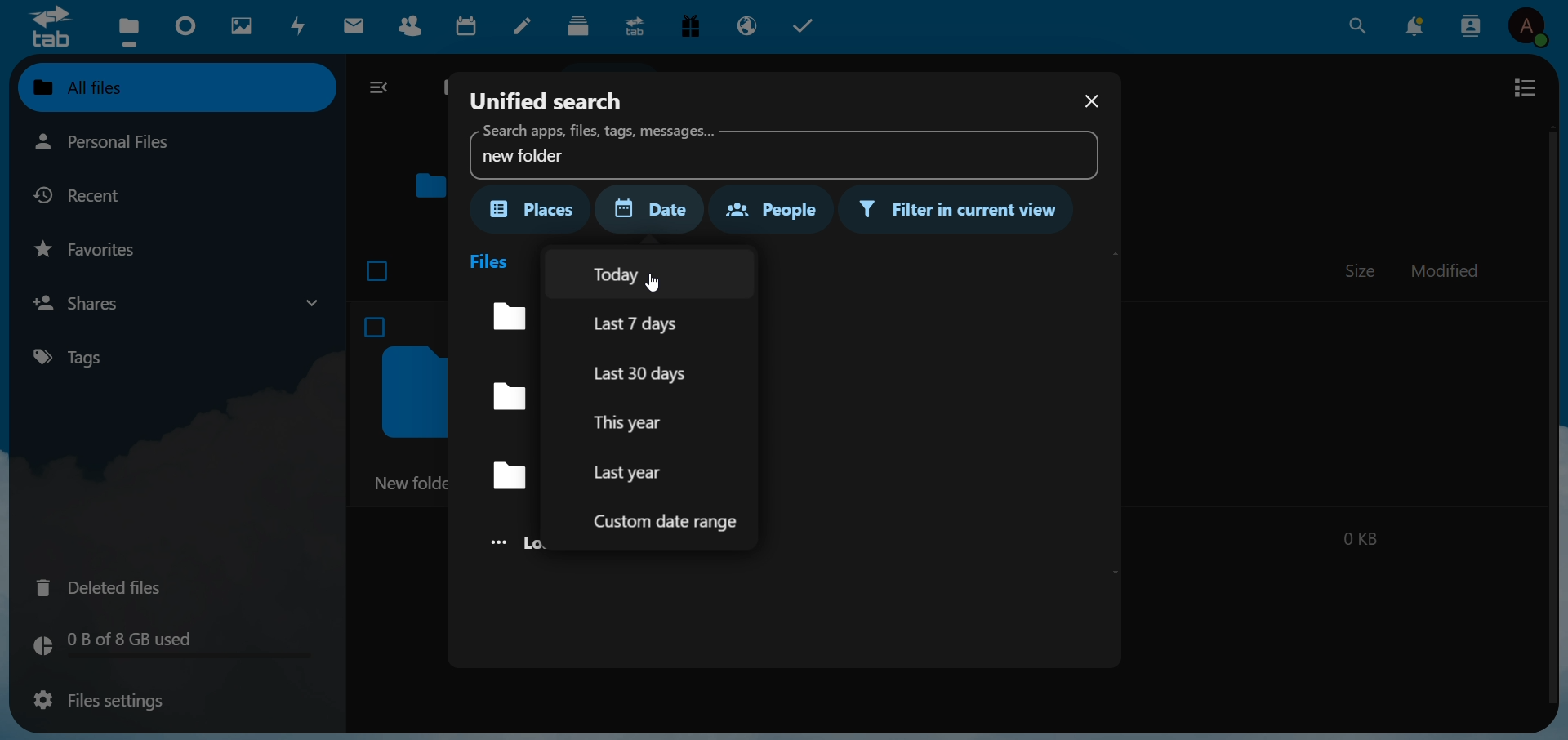  Describe the element at coordinates (808, 26) in the screenshot. I see `task` at that location.